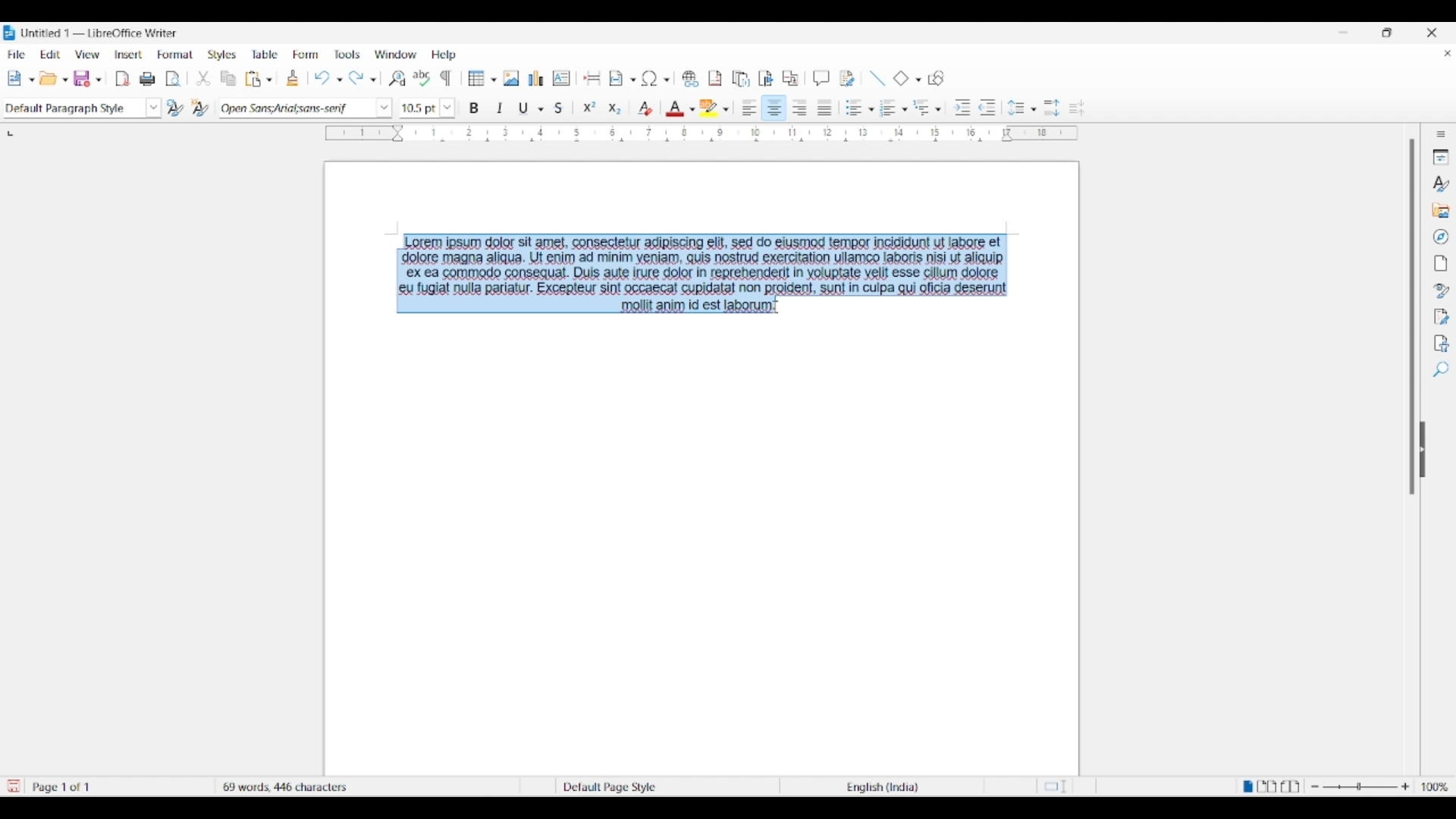 The height and width of the screenshot is (819, 1456). Describe the element at coordinates (853, 108) in the screenshot. I see `Toggle unordered list` at that location.